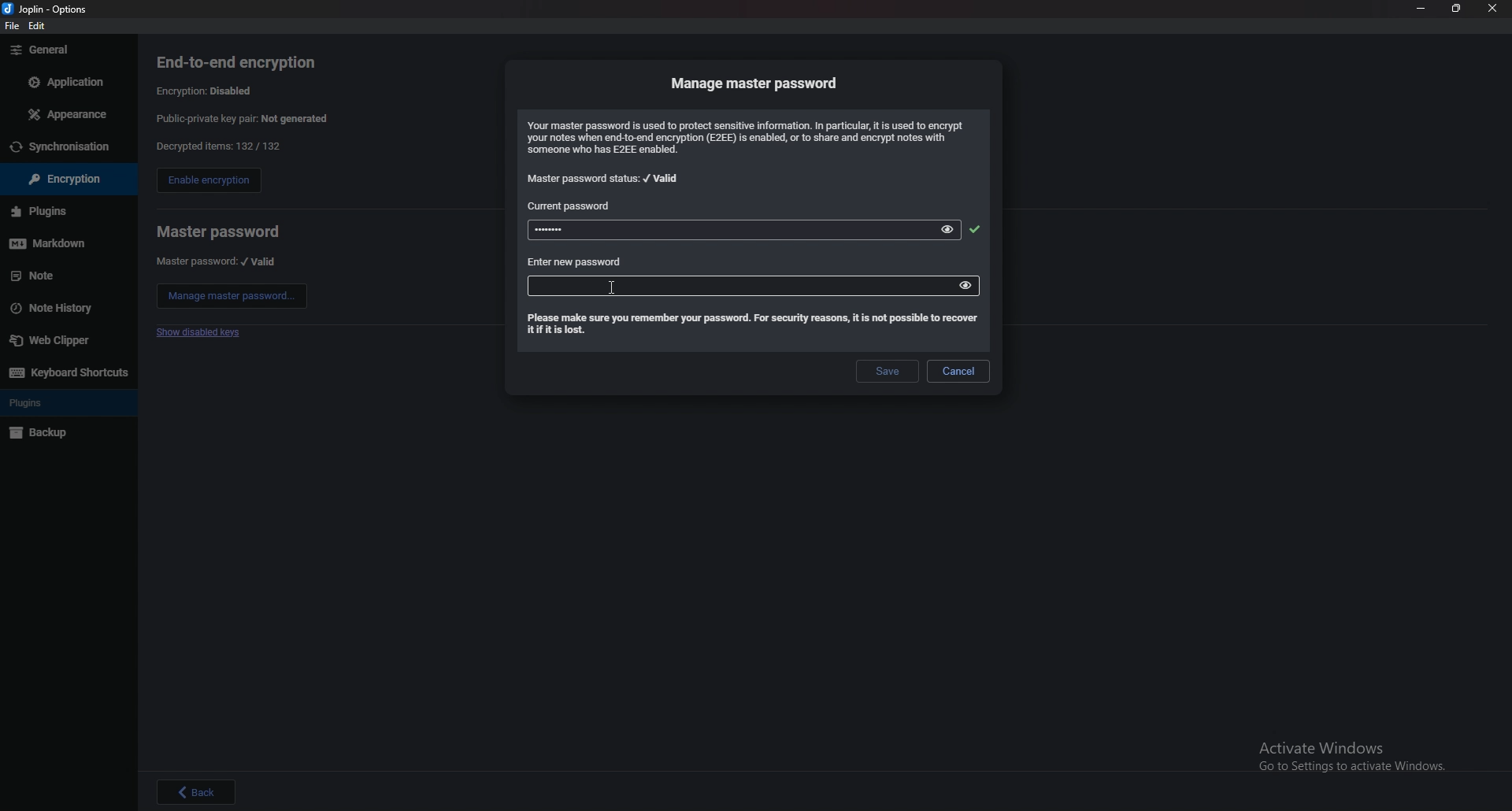 This screenshot has width=1512, height=811. What do you see at coordinates (68, 339) in the screenshot?
I see `web clipper` at bounding box center [68, 339].